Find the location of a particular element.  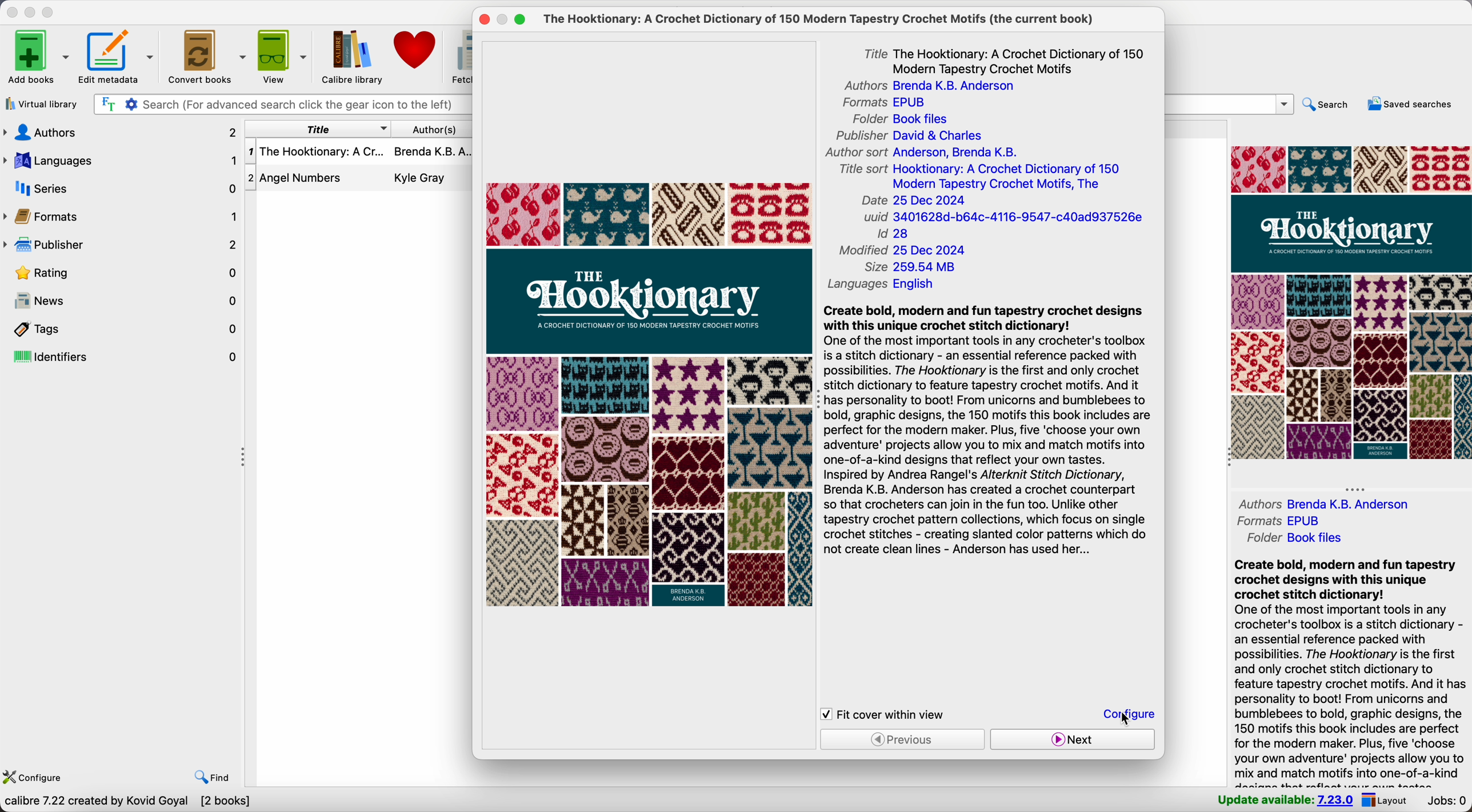

configure is located at coordinates (32, 778).